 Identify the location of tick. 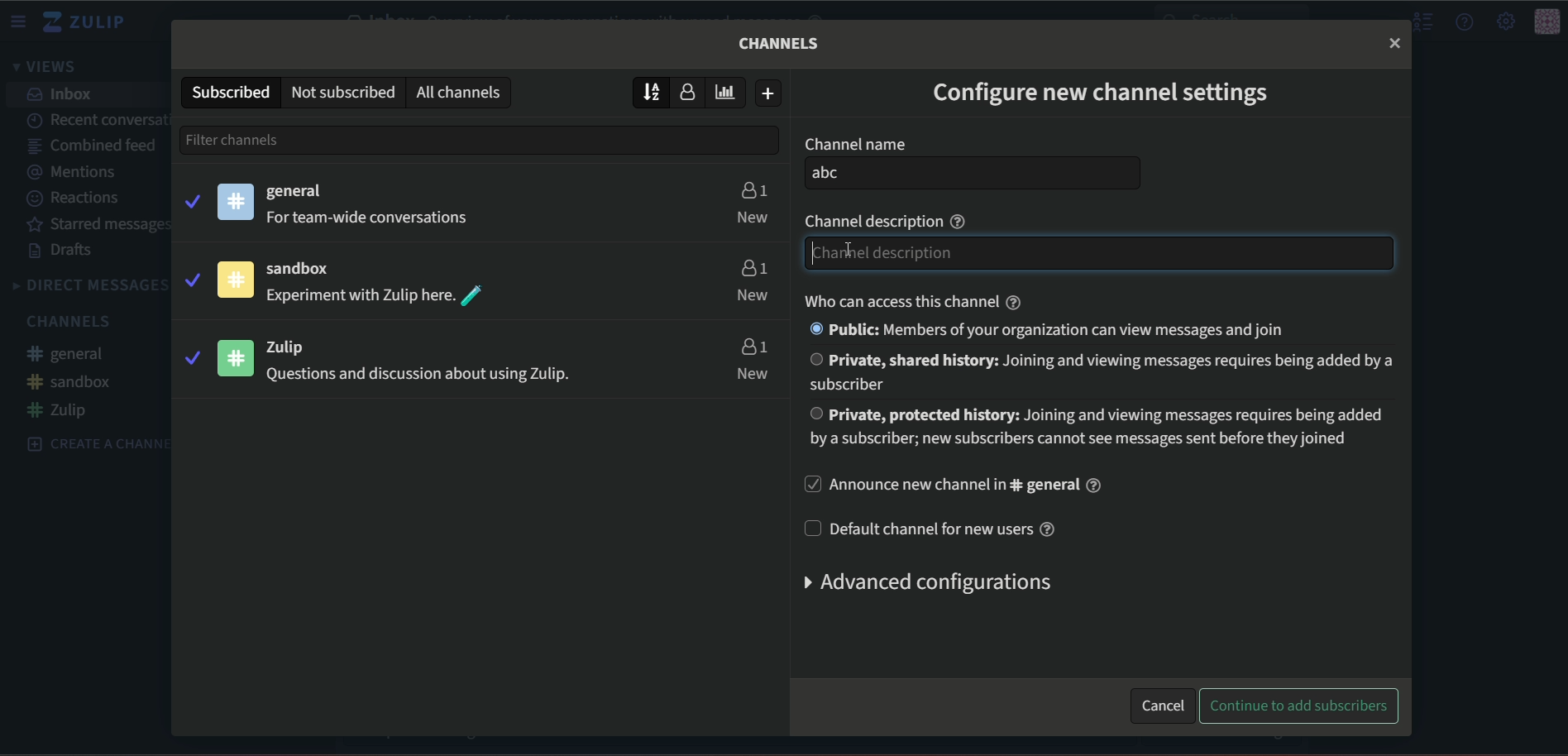
(190, 278).